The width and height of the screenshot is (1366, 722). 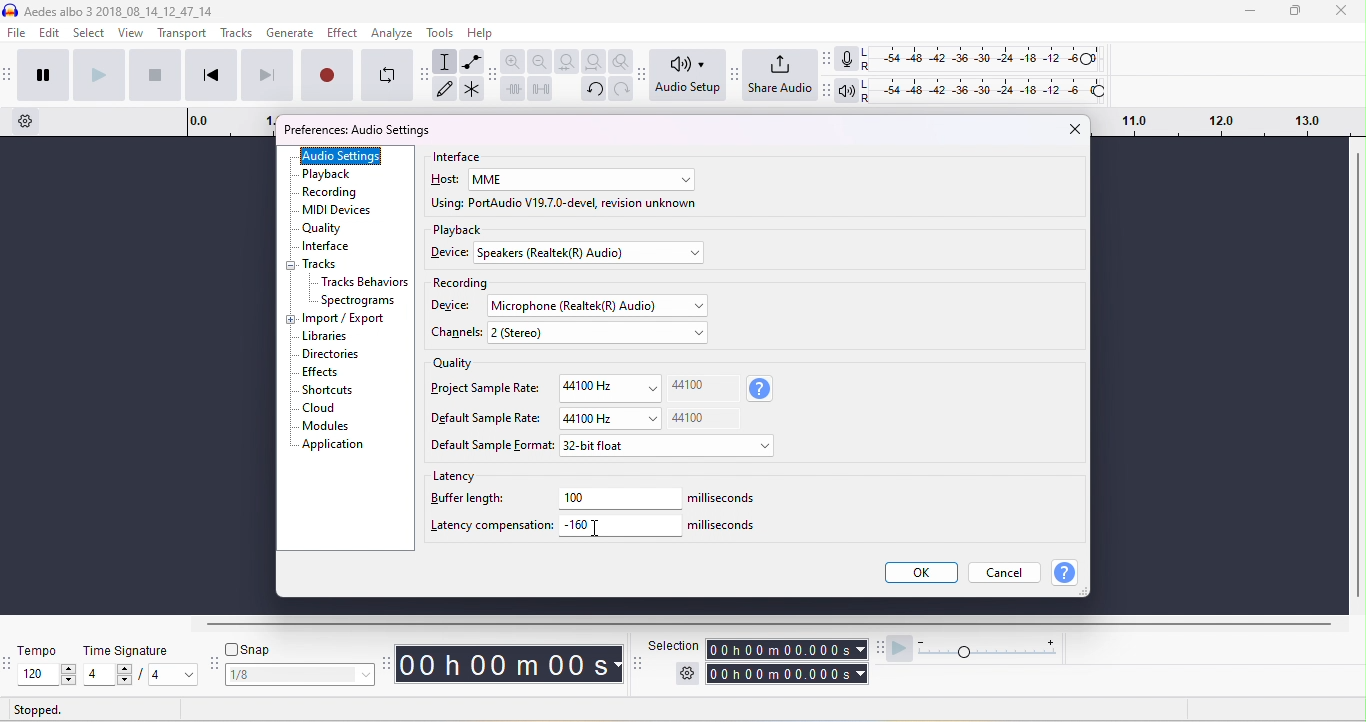 I want to click on timeline, so click(x=230, y=122).